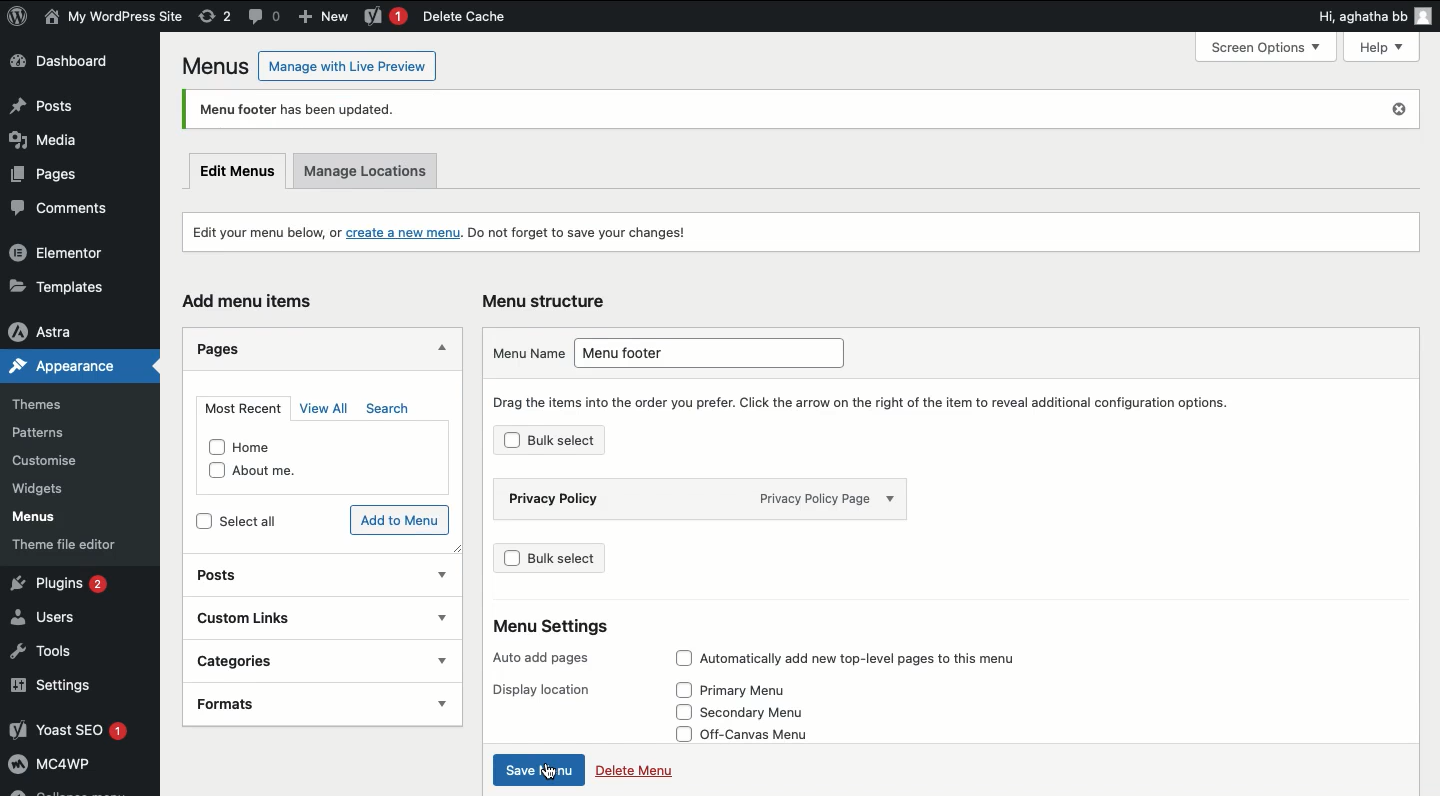 This screenshot has width=1440, height=796. Describe the element at coordinates (536, 771) in the screenshot. I see `Click save menu` at that location.